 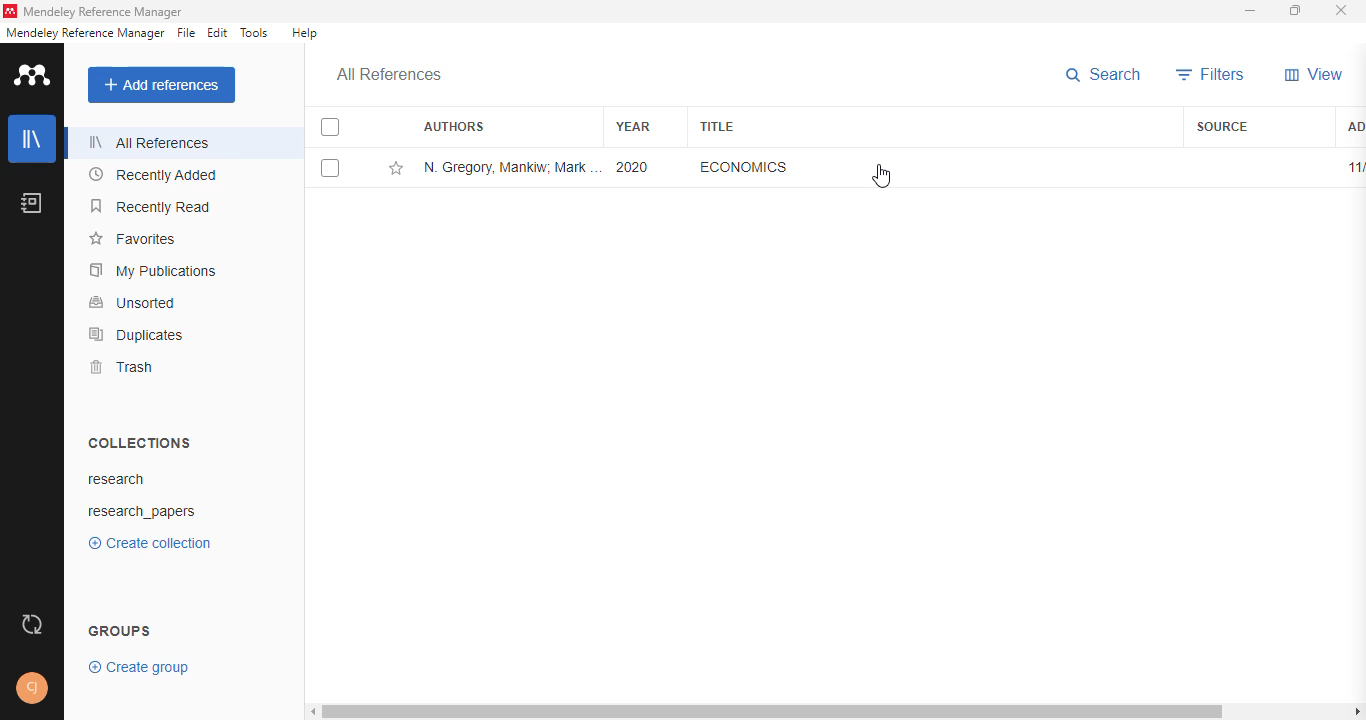 I want to click on research_papers, so click(x=141, y=512).